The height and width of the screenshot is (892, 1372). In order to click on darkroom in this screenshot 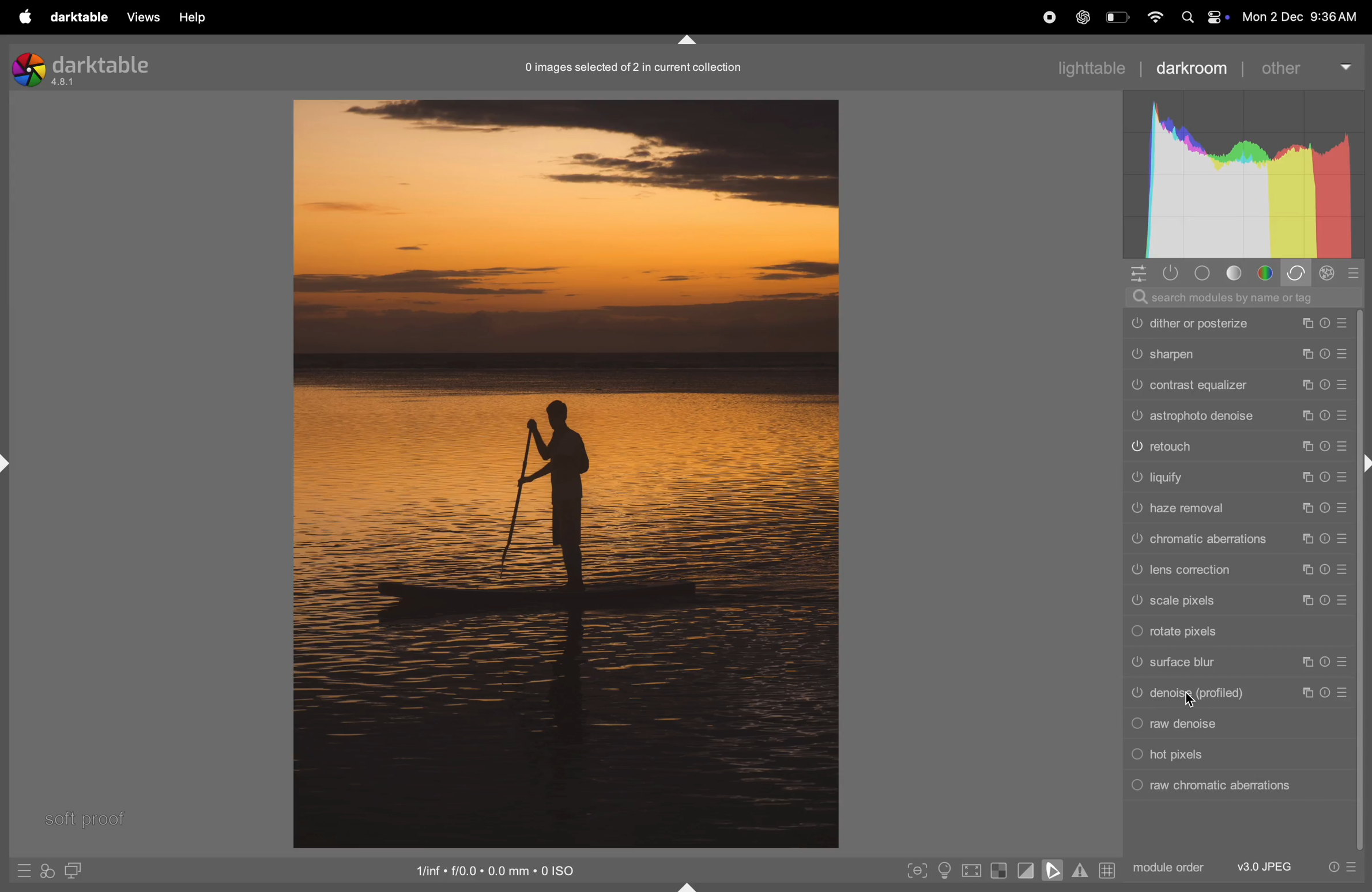, I will do `click(1199, 66)`.